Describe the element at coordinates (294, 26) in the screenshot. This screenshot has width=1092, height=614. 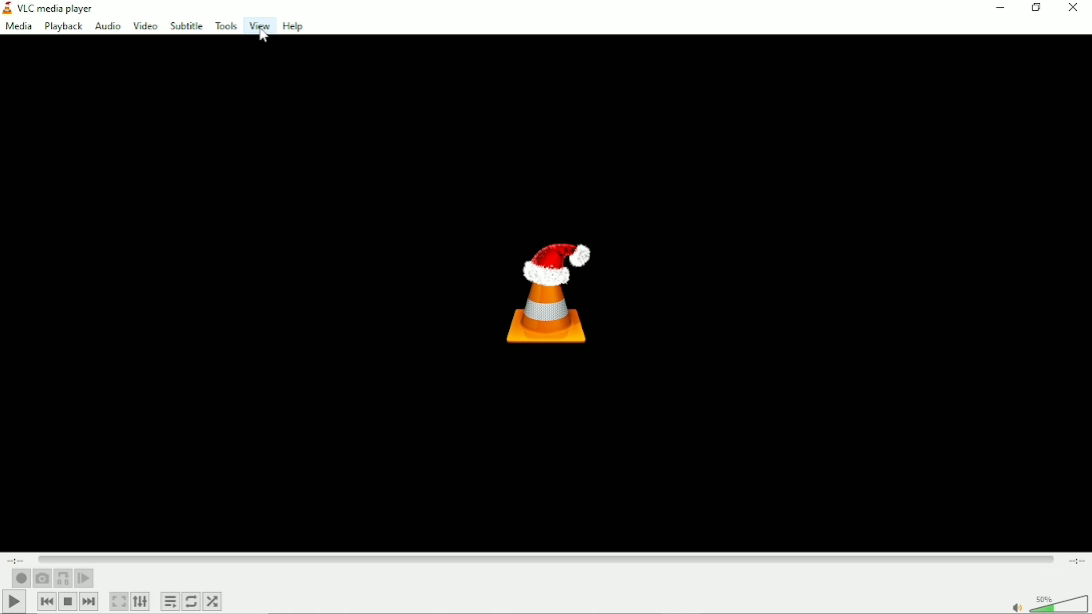
I see `Help` at that location.